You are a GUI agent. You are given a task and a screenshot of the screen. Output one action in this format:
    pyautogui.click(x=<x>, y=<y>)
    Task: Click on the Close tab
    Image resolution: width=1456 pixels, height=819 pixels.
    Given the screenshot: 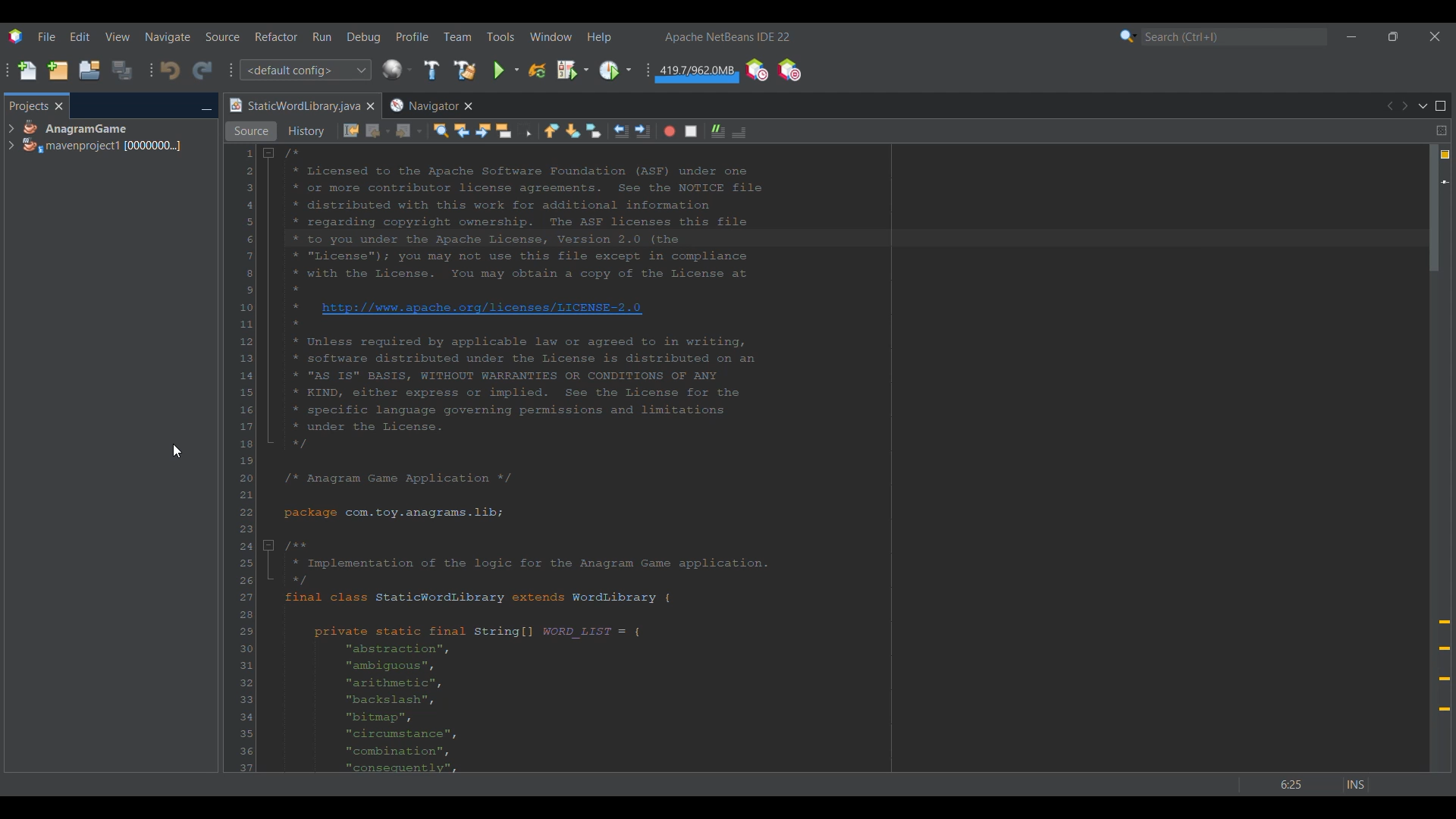 What is the action you would take?
    pyautogui.click(x=59, y=106)
    